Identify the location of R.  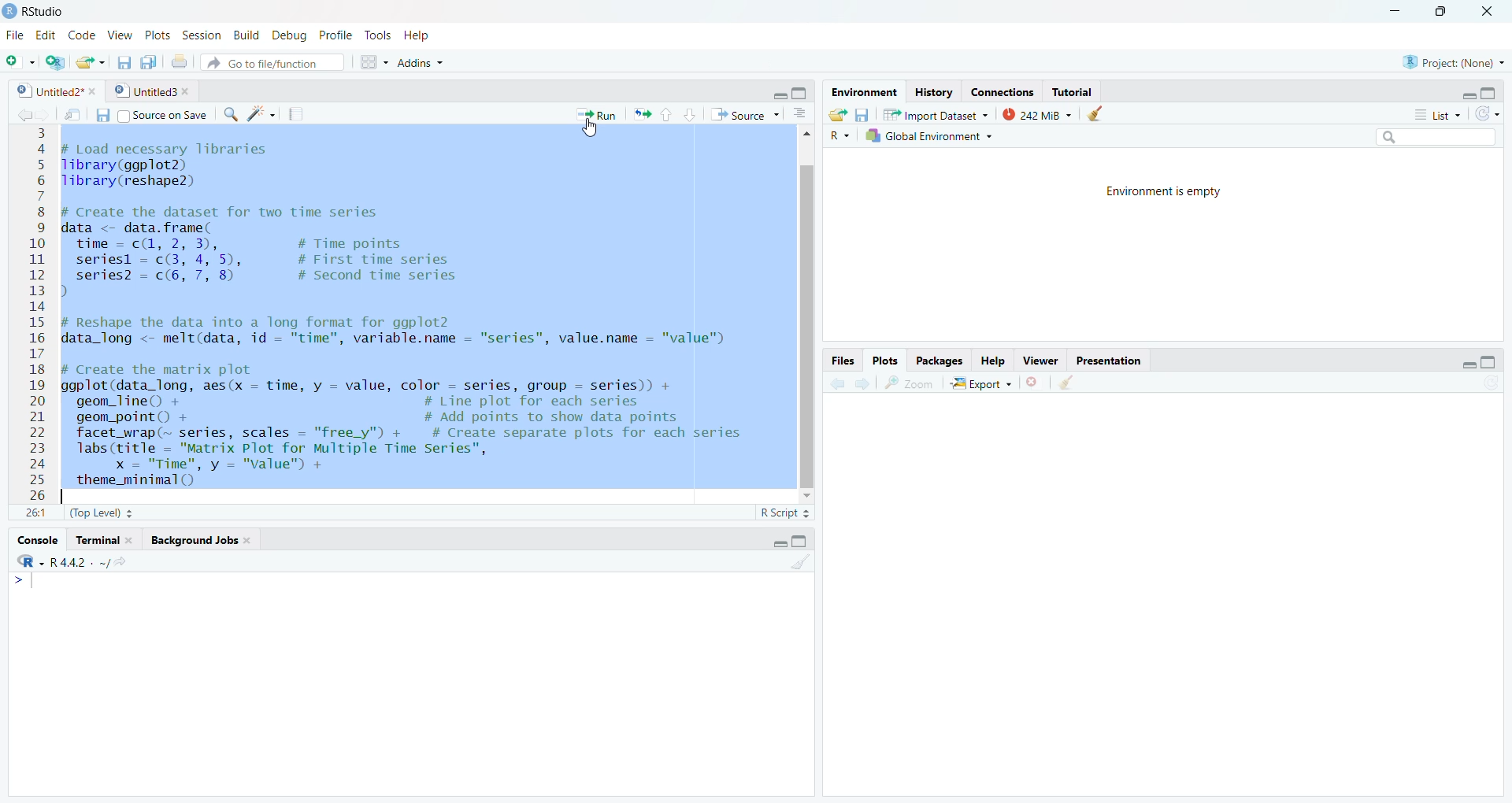
(838, 135).